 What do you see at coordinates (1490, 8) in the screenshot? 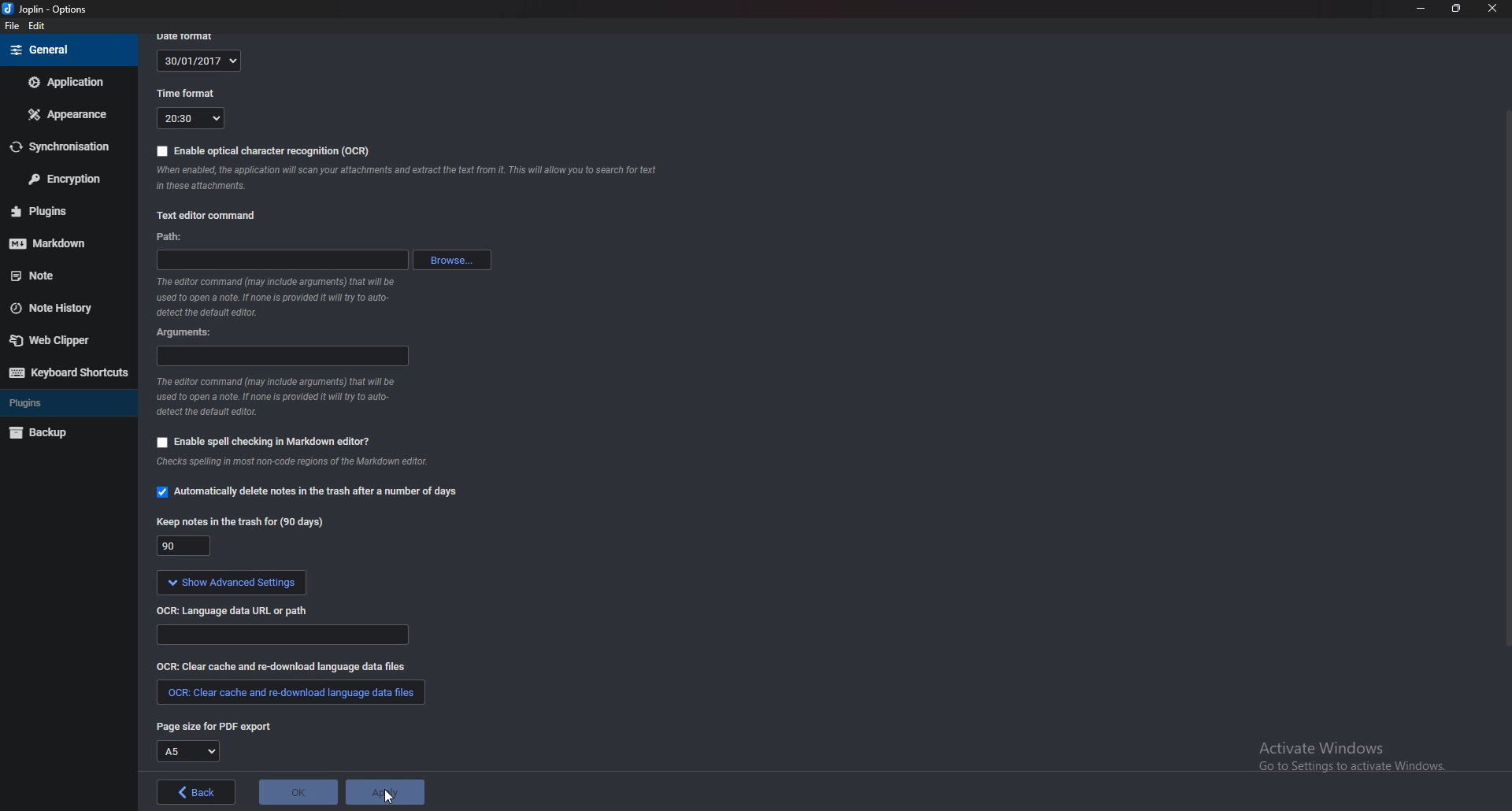
I see `close` at bounding box center [1490, 8].